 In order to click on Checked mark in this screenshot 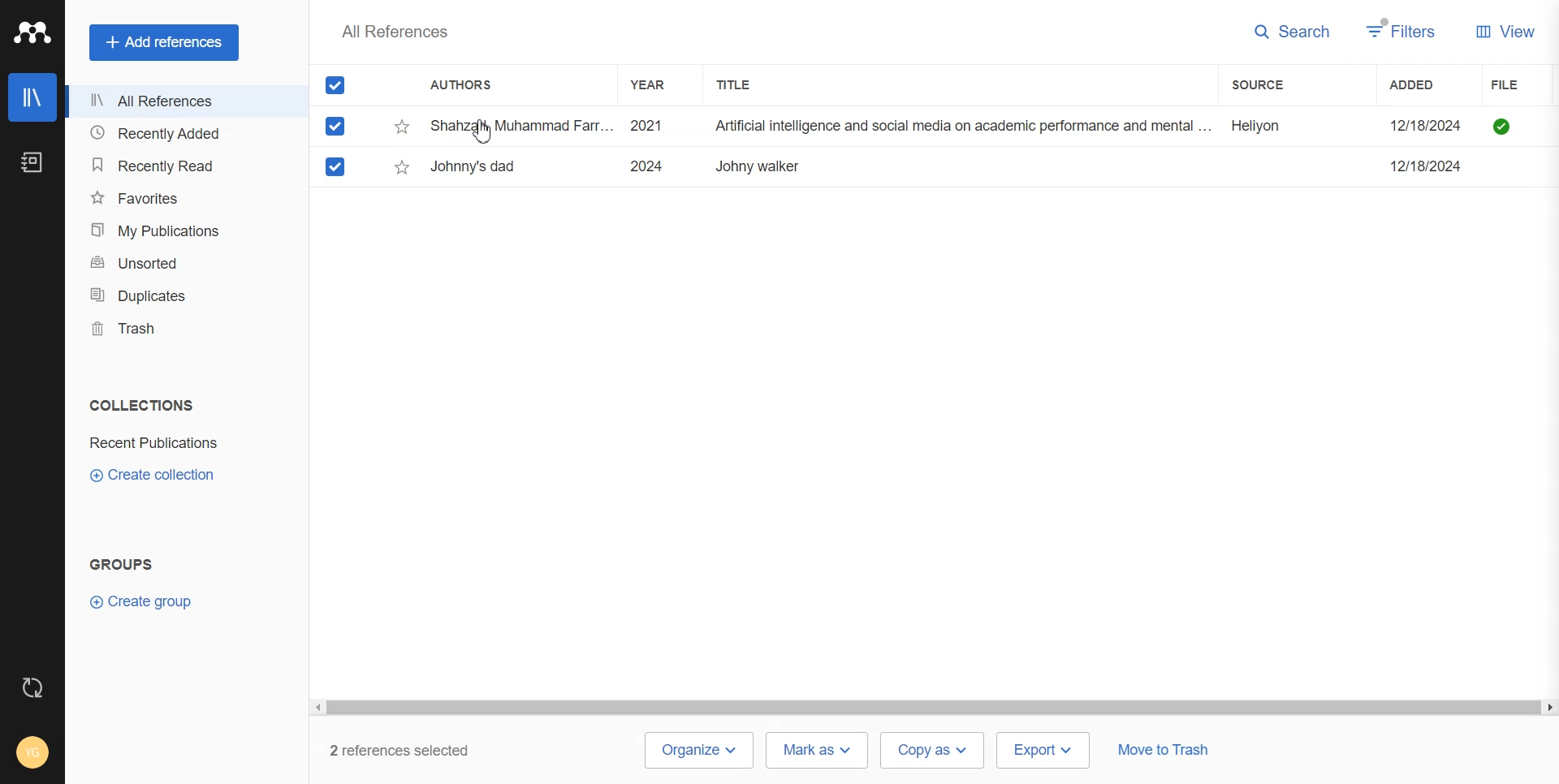, I will do `click(336, 126)`.